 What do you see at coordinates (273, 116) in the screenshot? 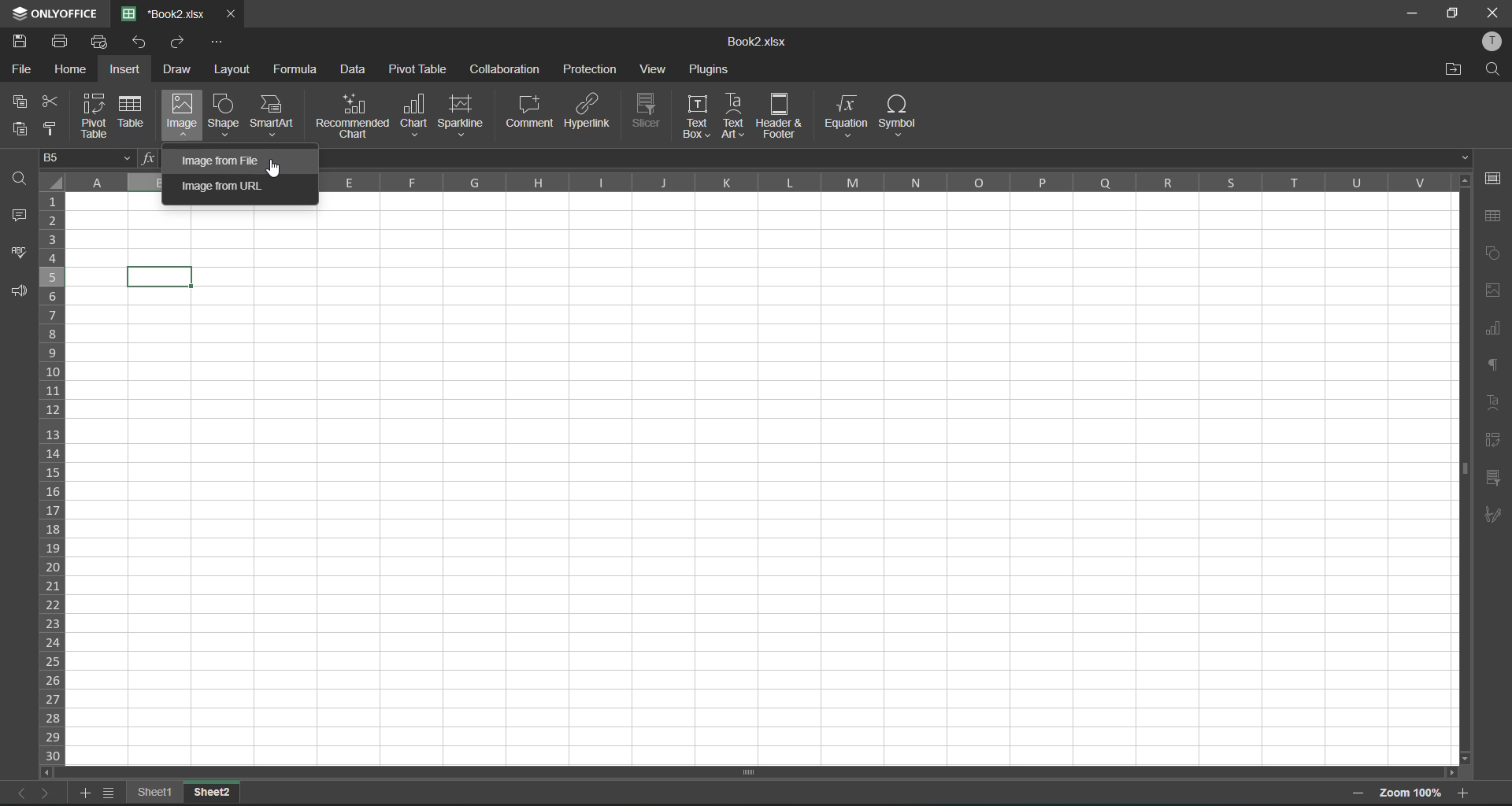
I see `smart art` at bounding box center [273, 116].